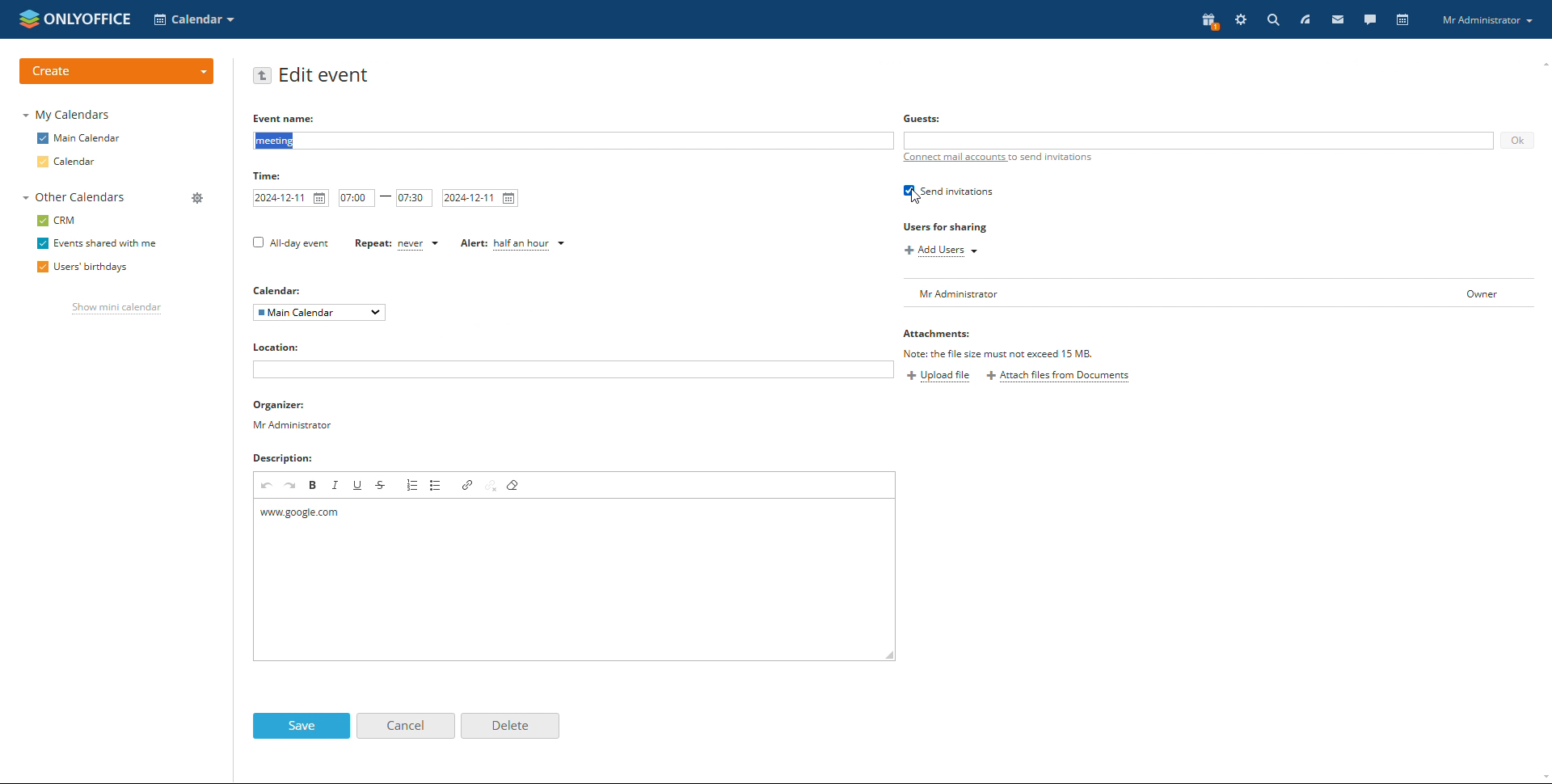  I want to click on add event name, so click(571, 141).